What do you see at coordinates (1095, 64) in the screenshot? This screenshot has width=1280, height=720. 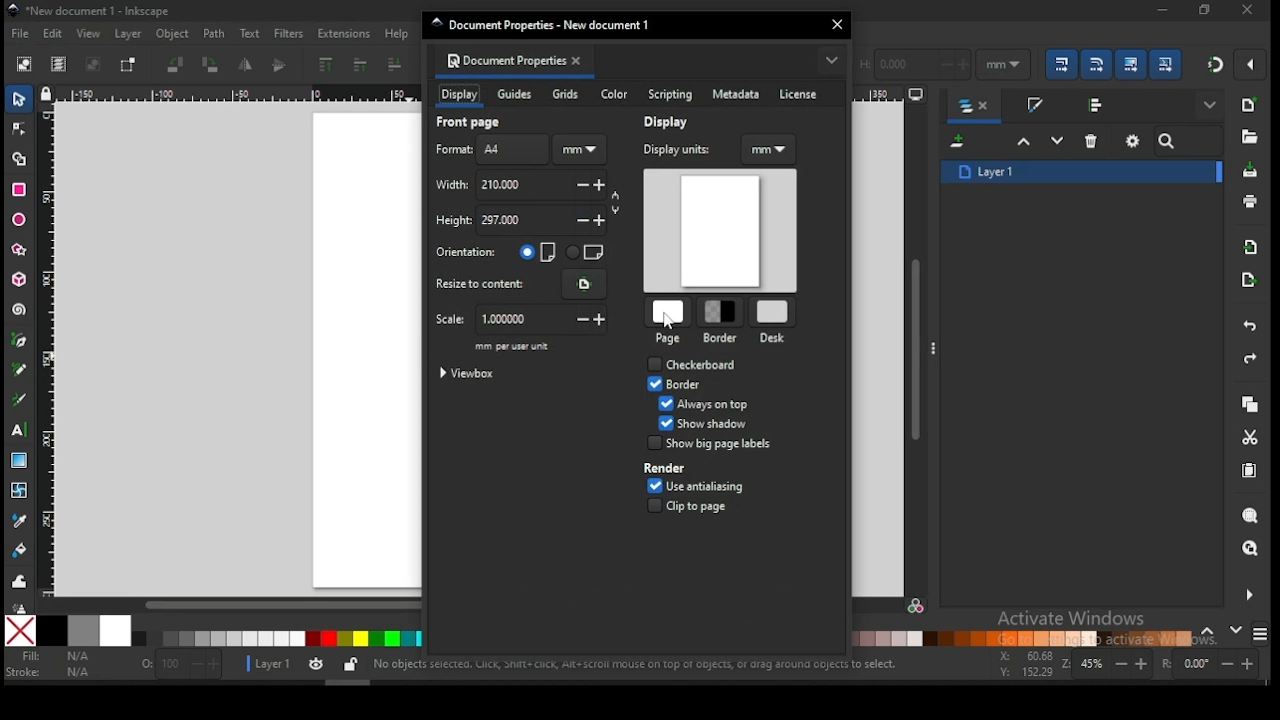 I see `when scaling rectangle, scale the radii of rounded corners` at bounding box center [1095, 64].